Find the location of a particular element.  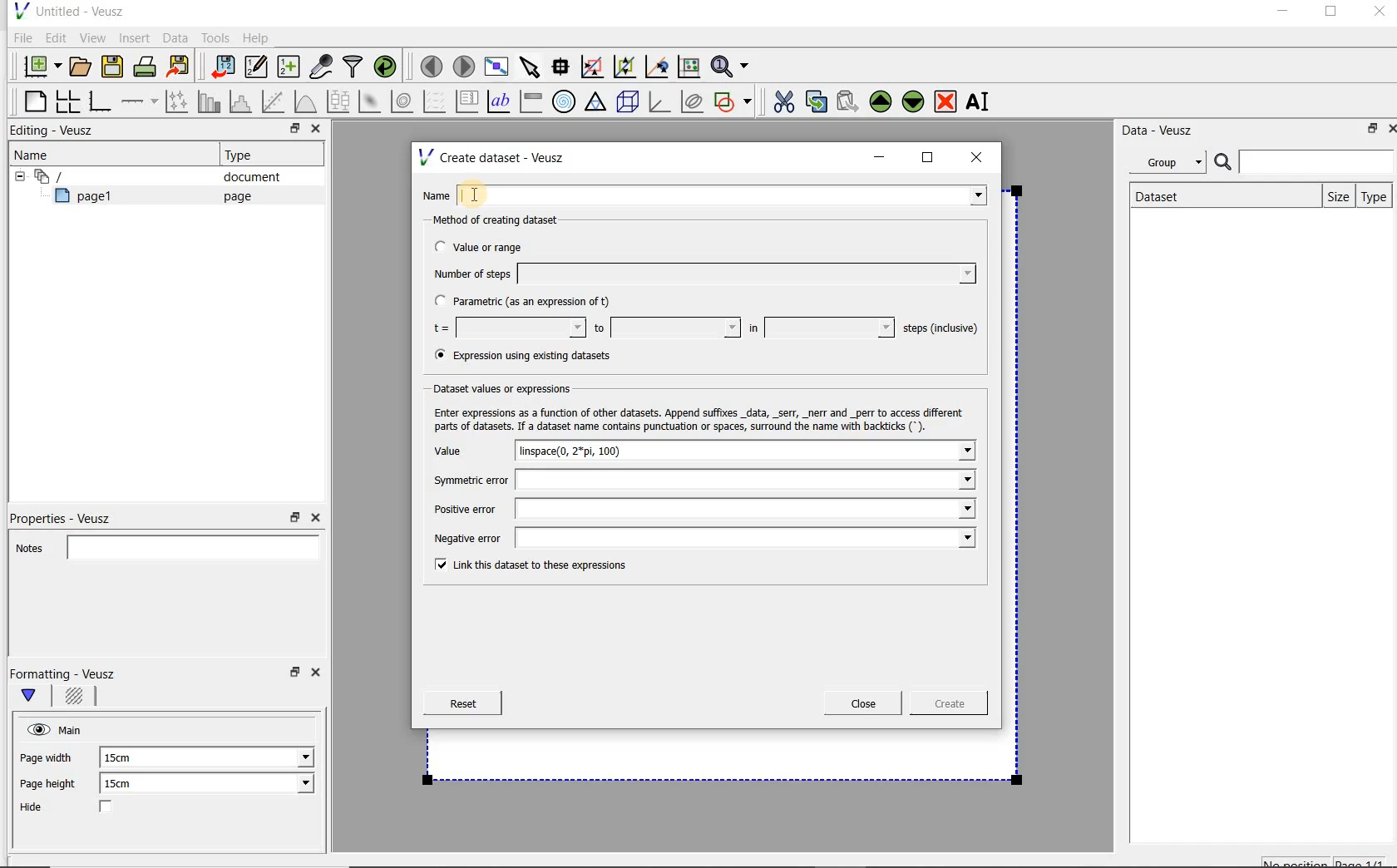

Data is located at coordinates (176, 37).